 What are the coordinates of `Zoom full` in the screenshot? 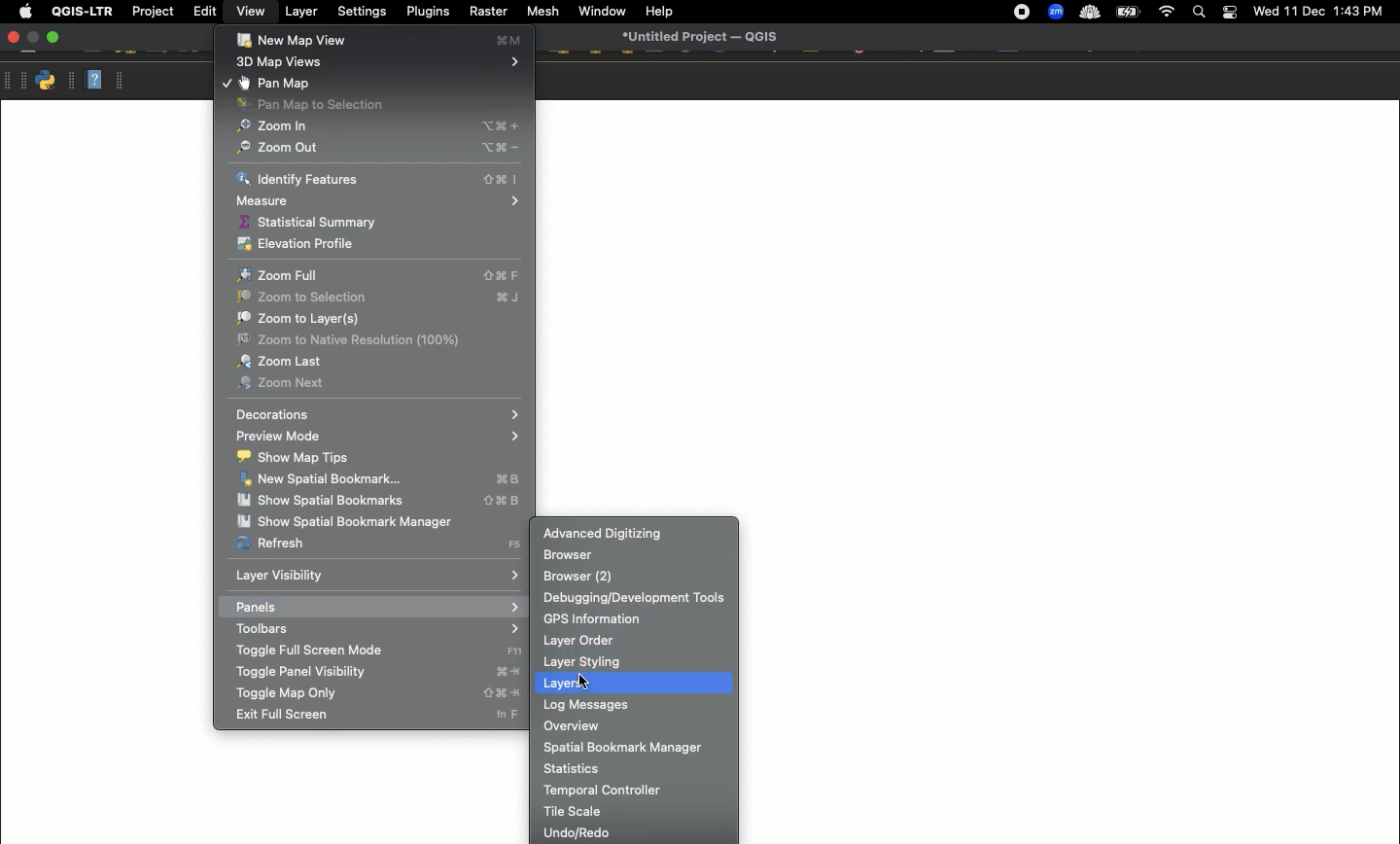 It's located at (381, 275).